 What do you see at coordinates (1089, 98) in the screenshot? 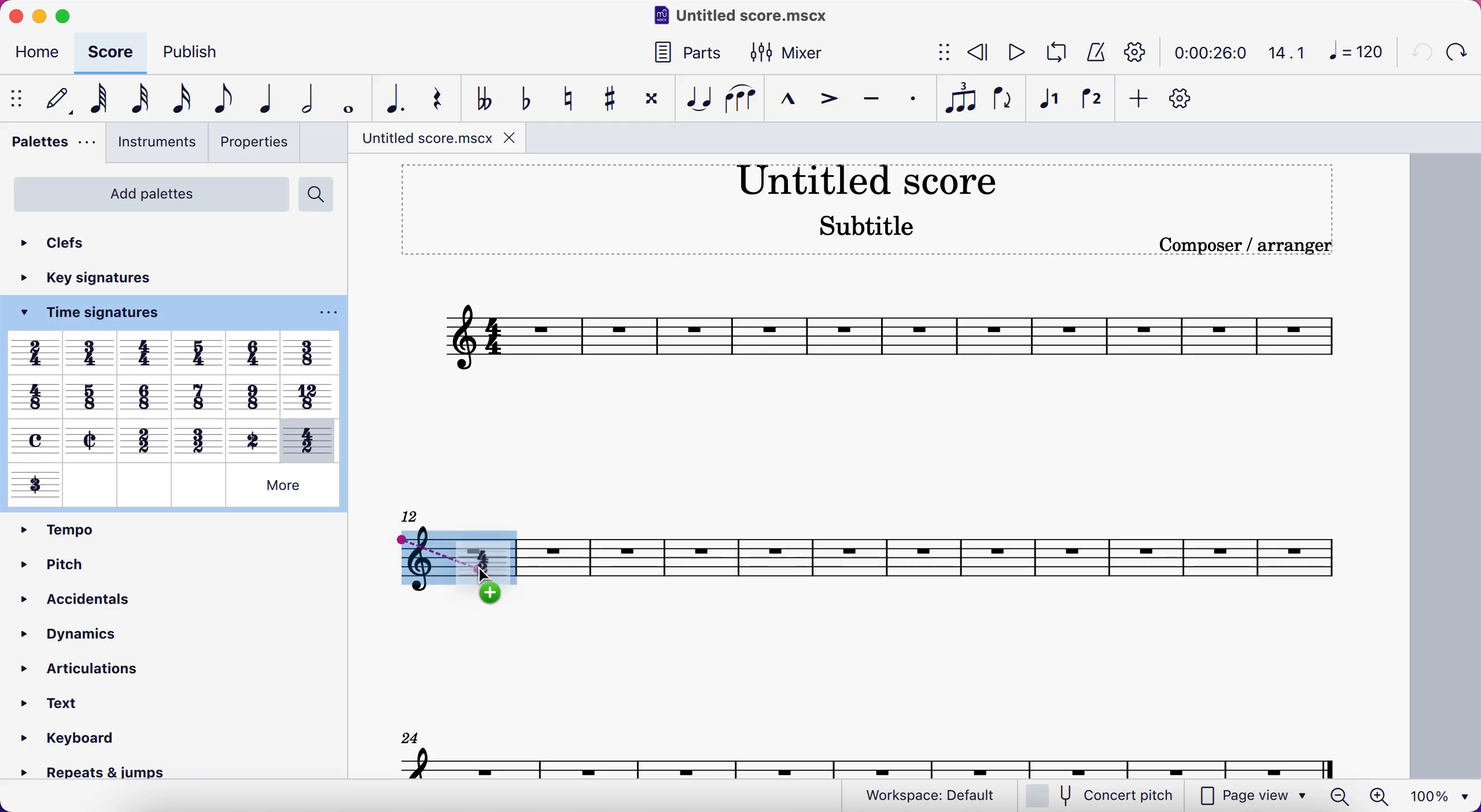
I see `voice 2` at bounding box center [1089, 98].